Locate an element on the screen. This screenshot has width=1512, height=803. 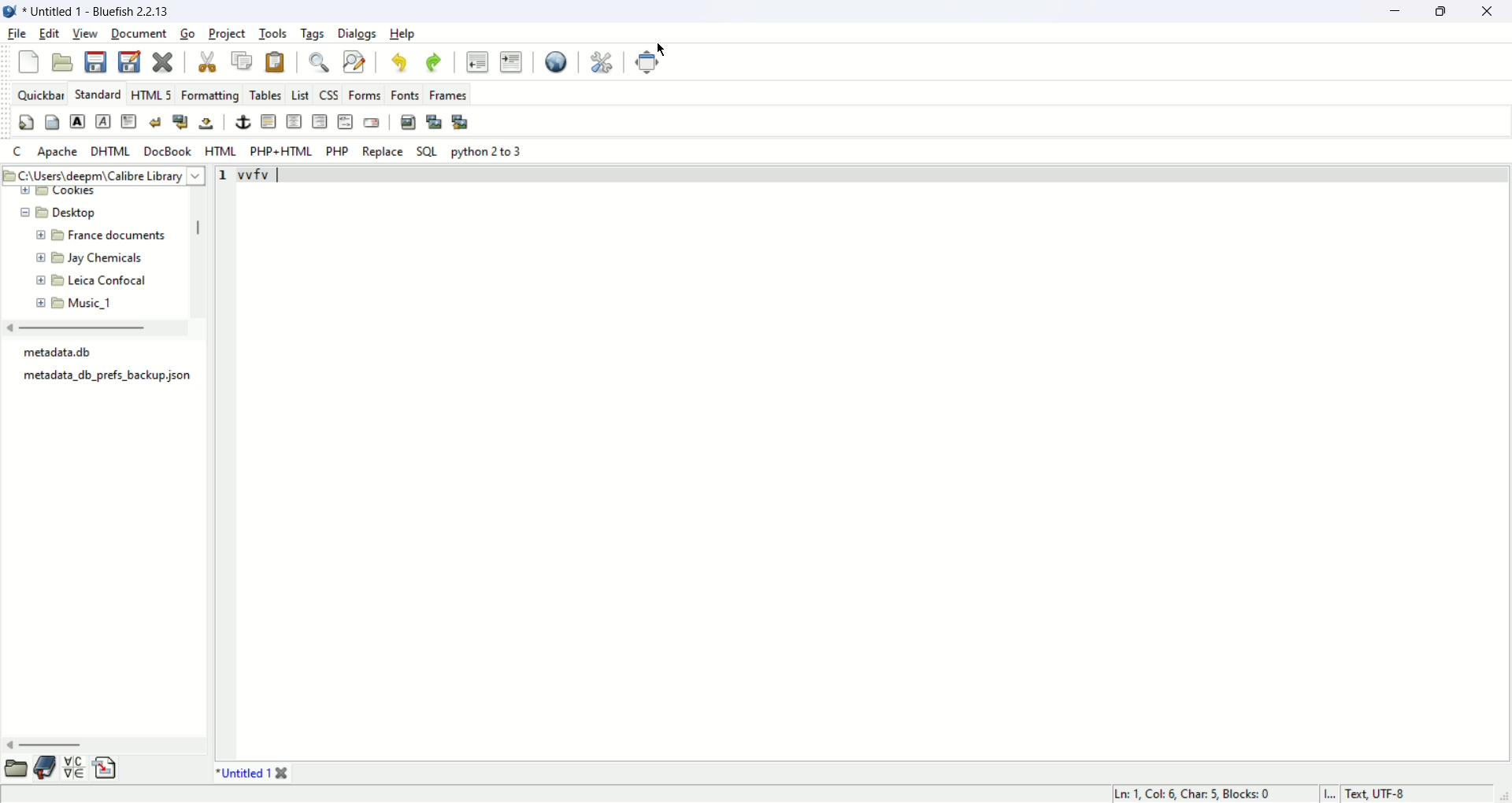
anchor is located at coordinates (243, 122).